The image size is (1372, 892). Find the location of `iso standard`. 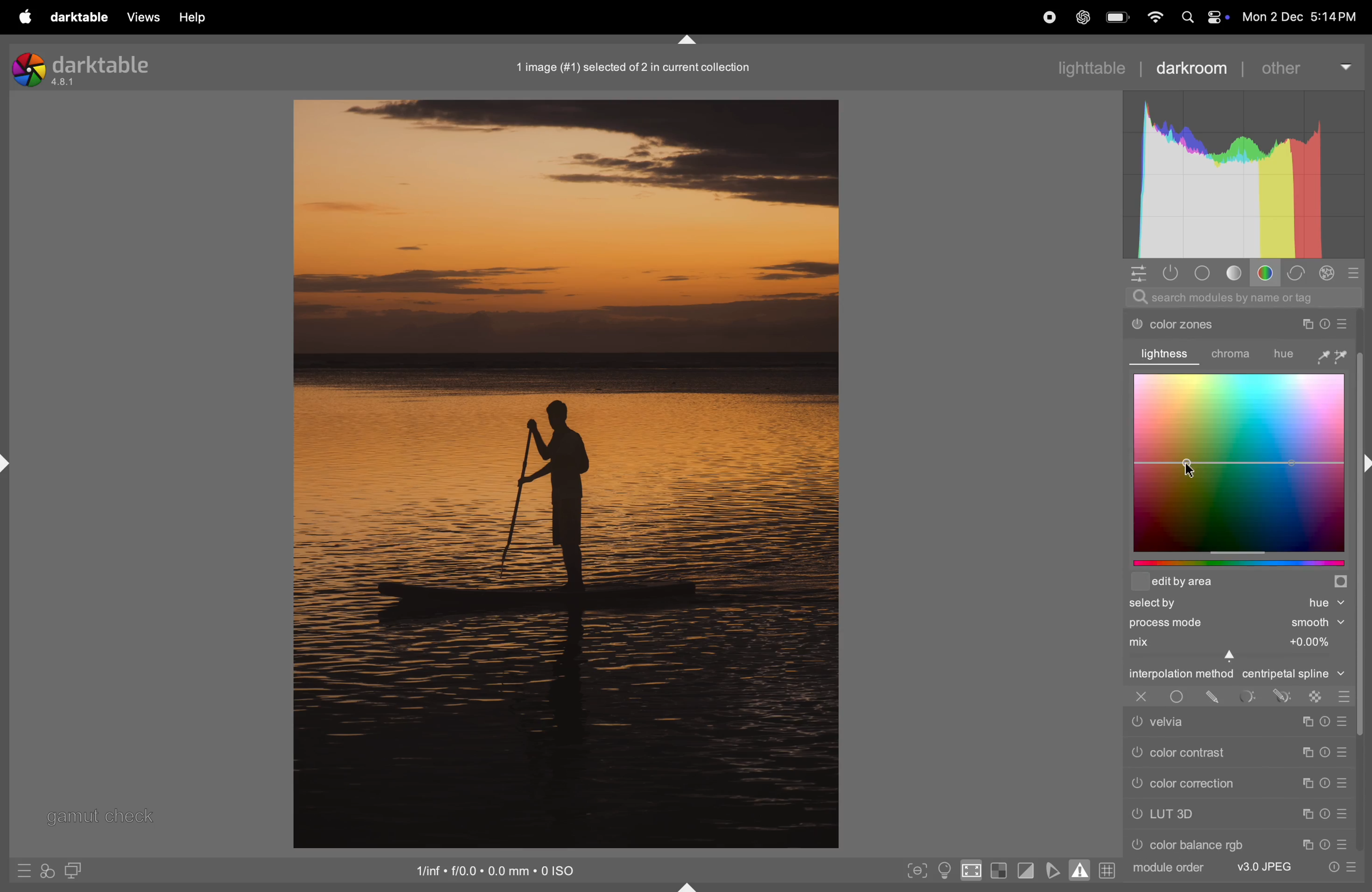

iso standard is located at coordinates (499, 873).